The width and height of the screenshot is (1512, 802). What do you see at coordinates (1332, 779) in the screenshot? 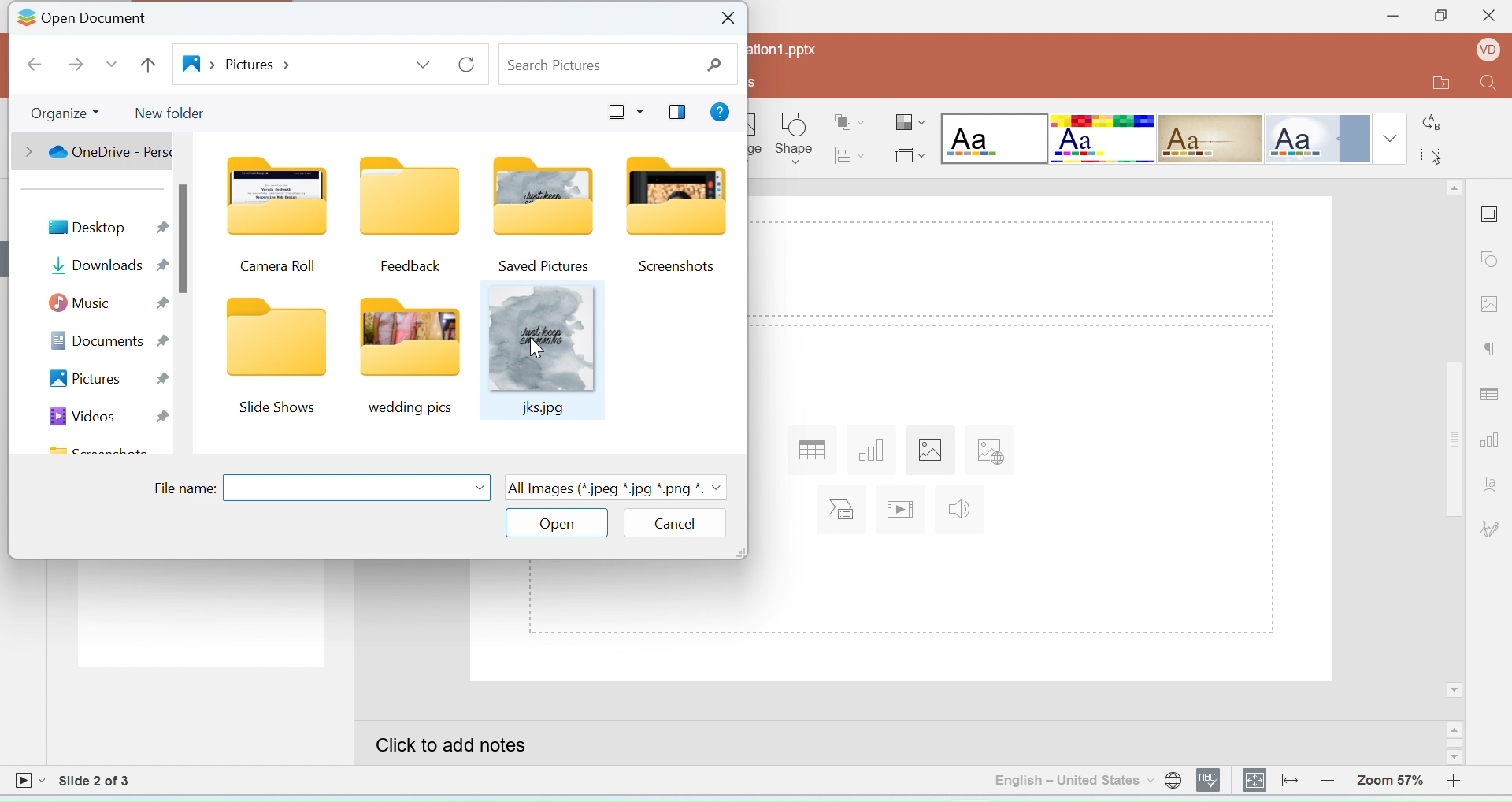
I see `Zoom out` at bounding box center [1332, 779].